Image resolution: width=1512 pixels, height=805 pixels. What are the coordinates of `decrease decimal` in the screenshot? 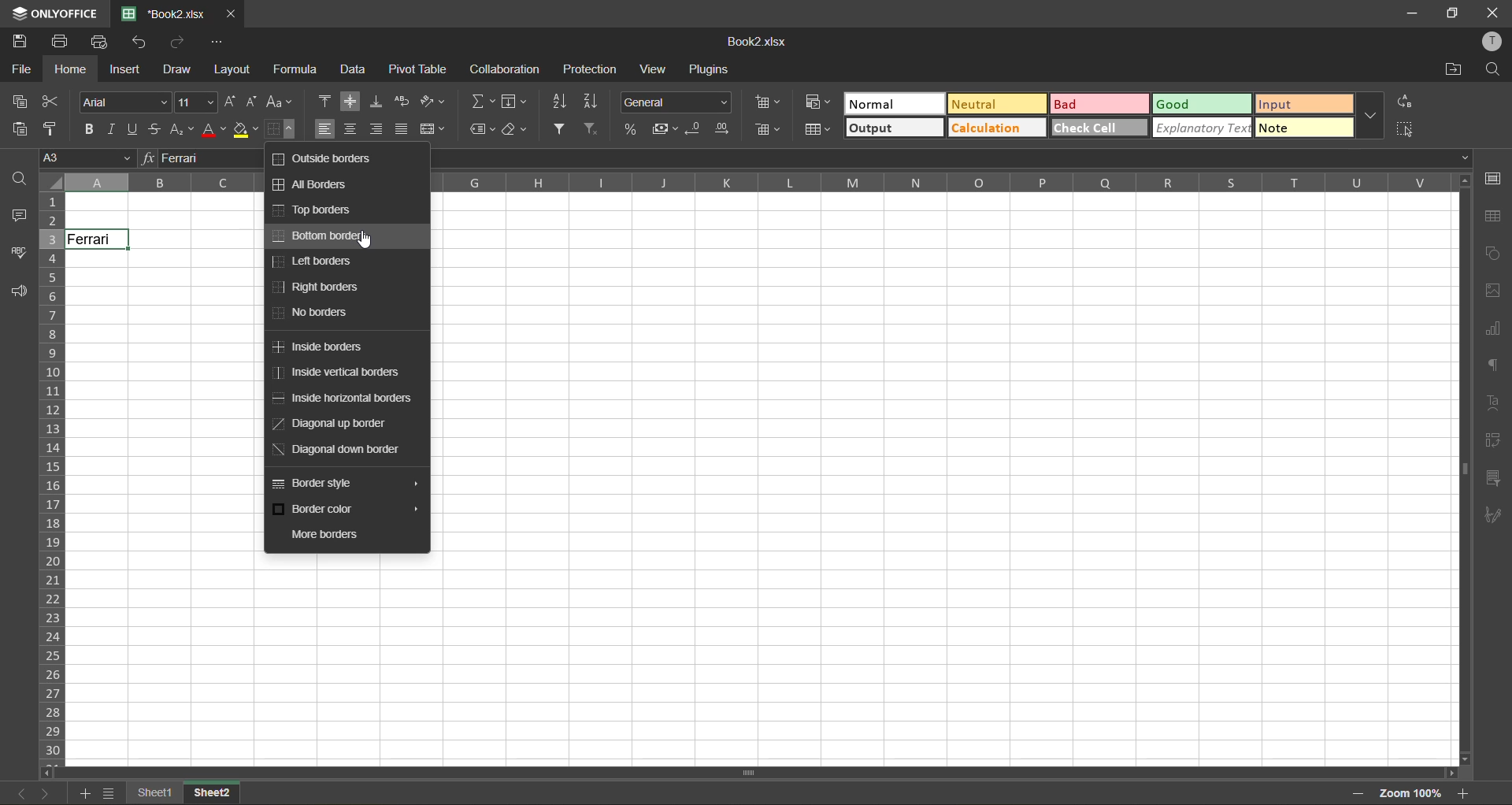 It's located at (695, 130).